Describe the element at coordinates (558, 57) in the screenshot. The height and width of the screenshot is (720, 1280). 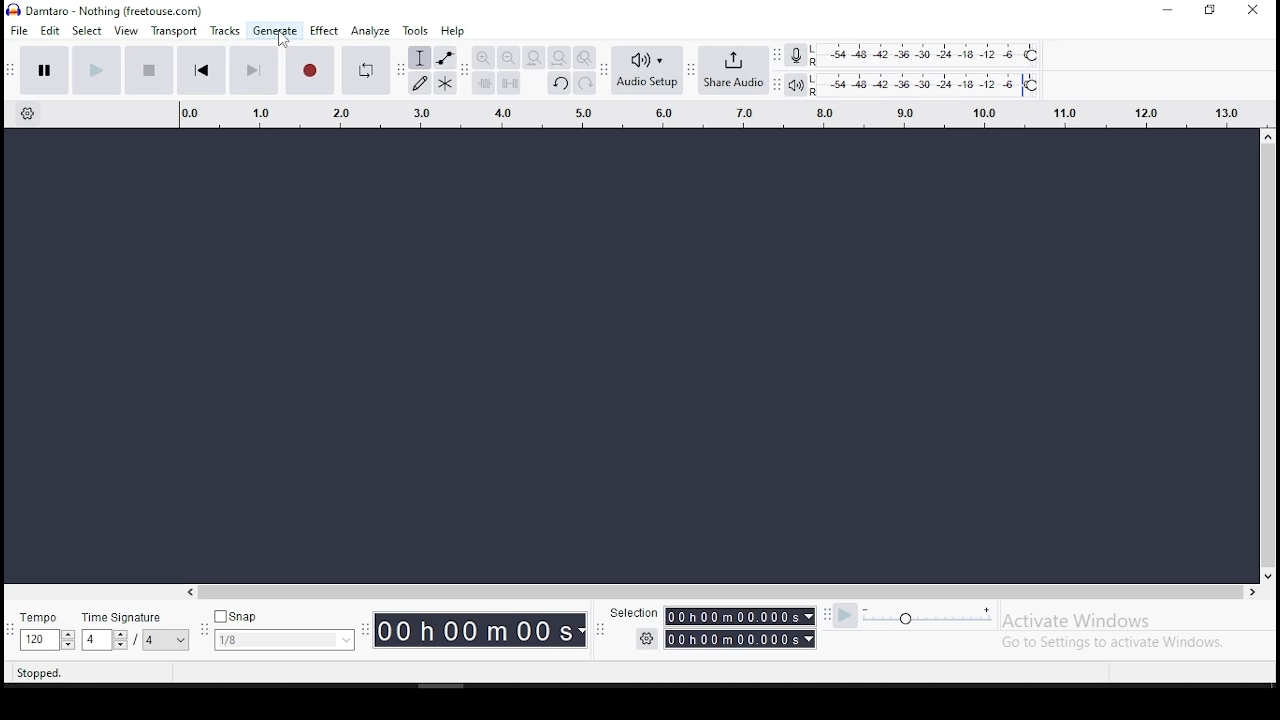
I see `fit project to width` at that location.